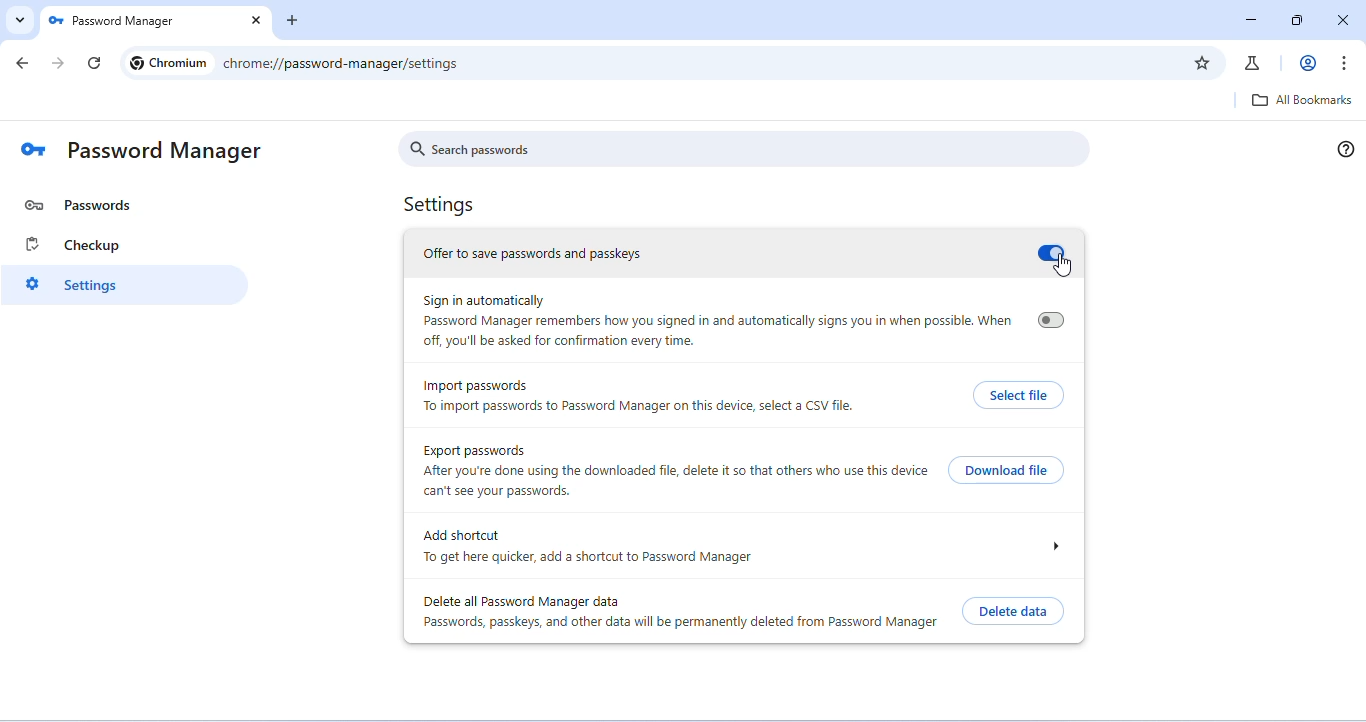  What do you see at coordinates (293, 20) in the screenshot?
I see `add new tab` at bounding box center [293, 20].